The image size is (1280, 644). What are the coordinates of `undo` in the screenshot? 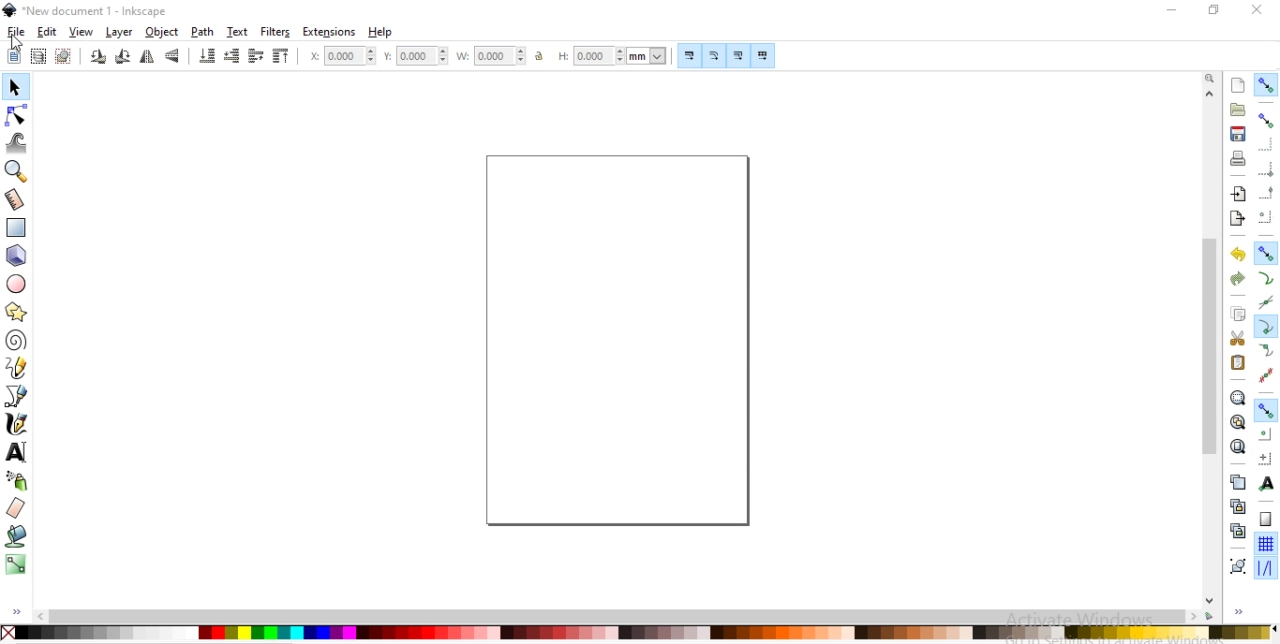 It's located at (1235, 255).